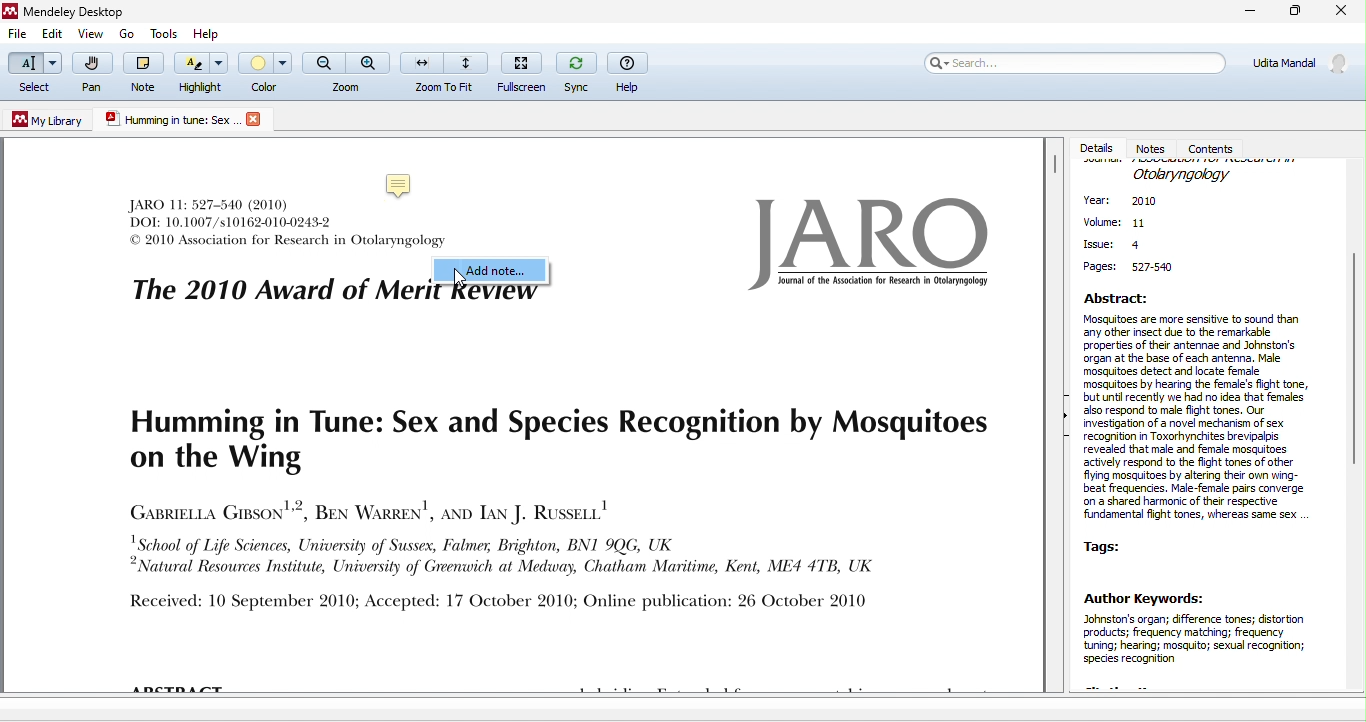 The height and width of the screenshot is (722, 1366). Describe the element at coordinates (253, 119) in the screenshot. I see `logo` at that location.